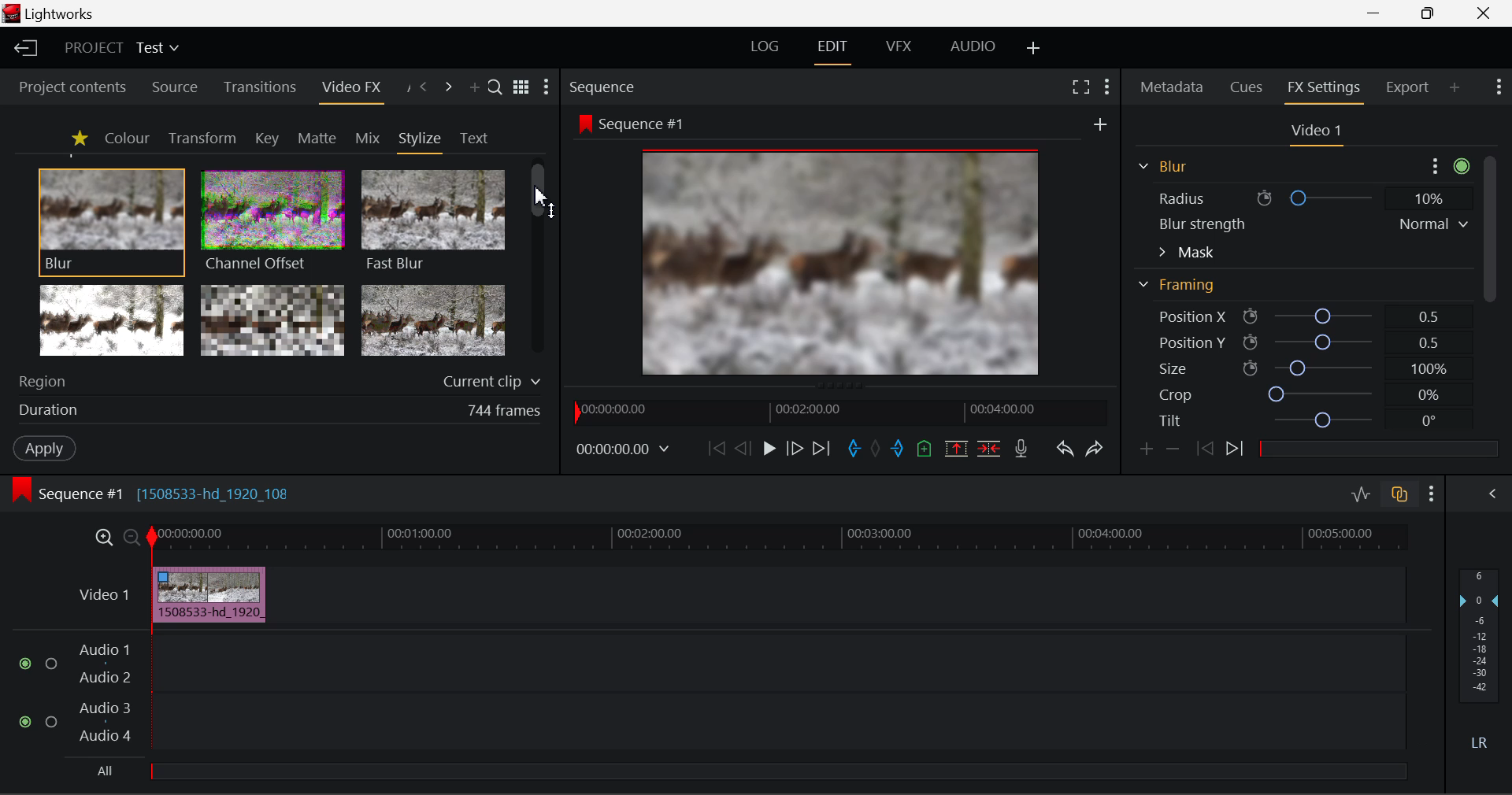 The image size is (1512, 795). I want to click on new frame, so click(1102, 124).